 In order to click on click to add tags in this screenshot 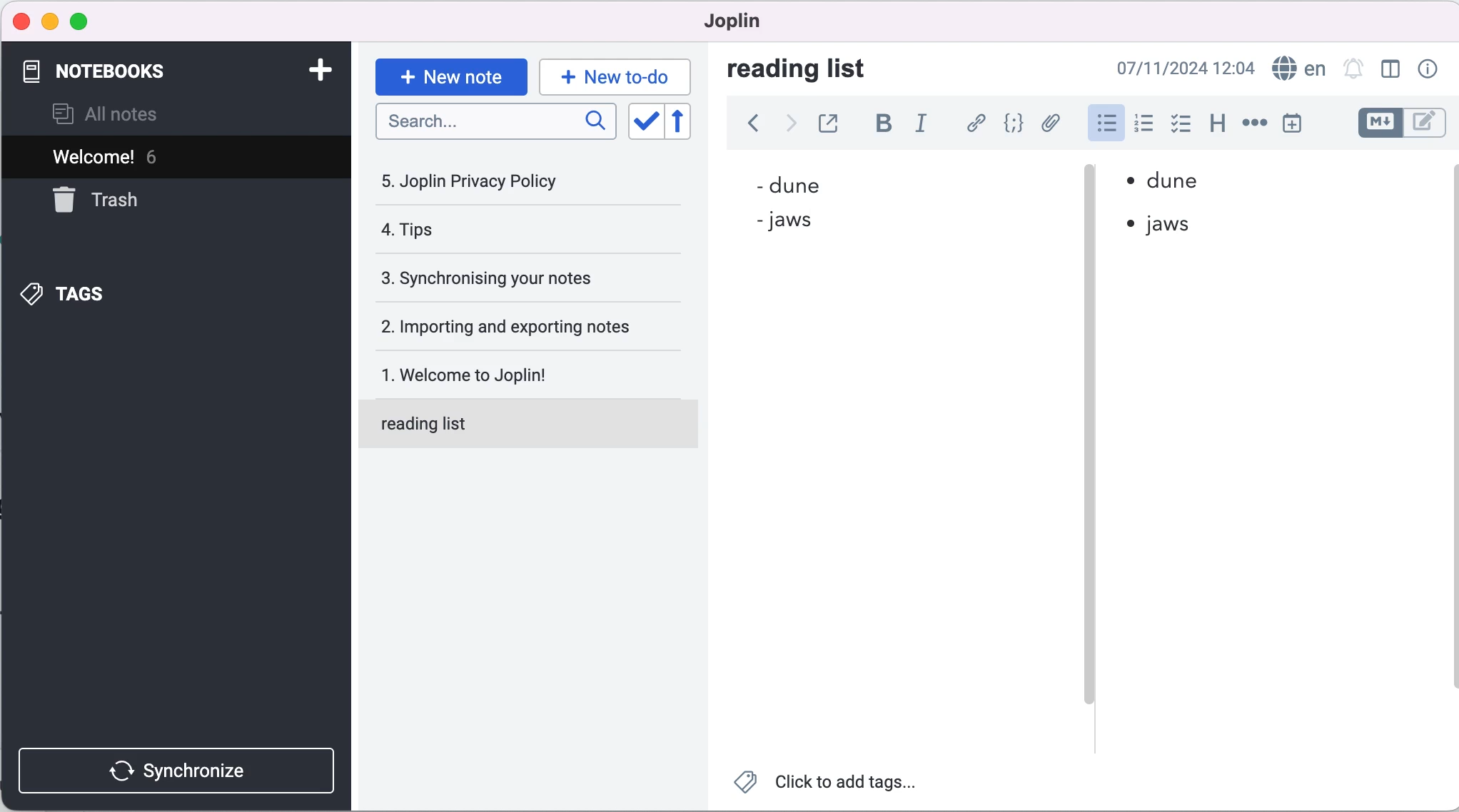, I will do `click(829, 787)`.